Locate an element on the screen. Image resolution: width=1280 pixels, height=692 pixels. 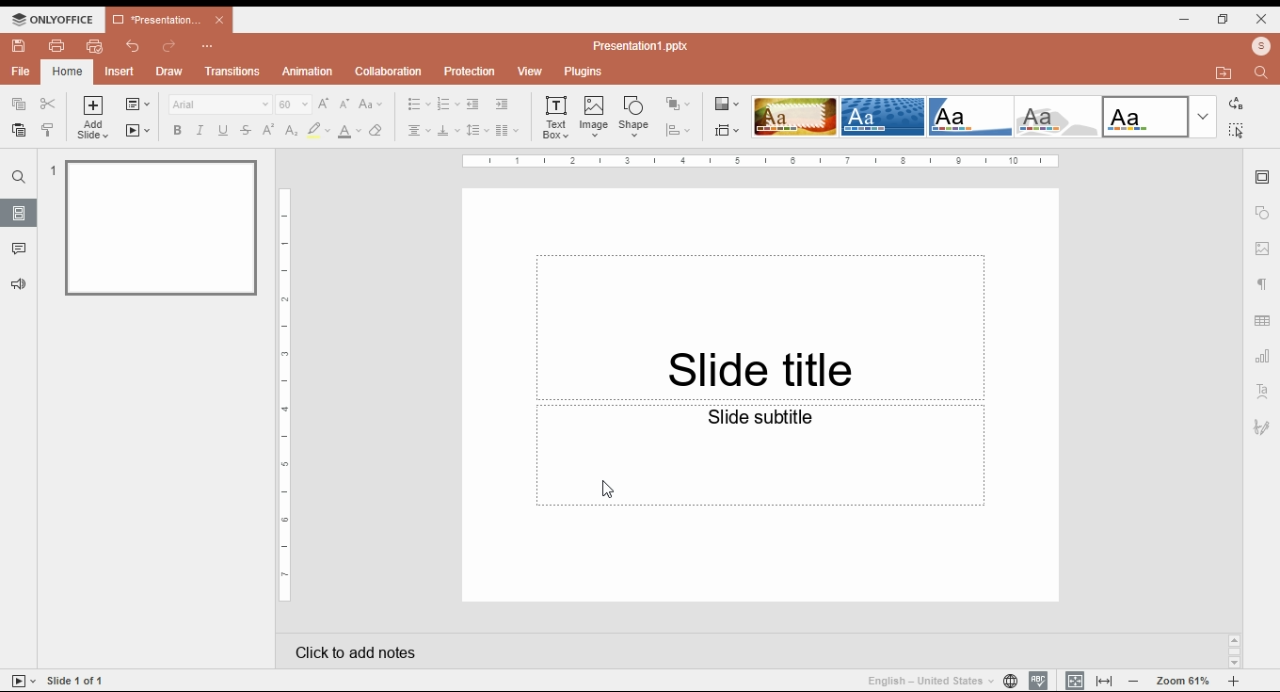
table settings is located at coordinates (1264, 323).